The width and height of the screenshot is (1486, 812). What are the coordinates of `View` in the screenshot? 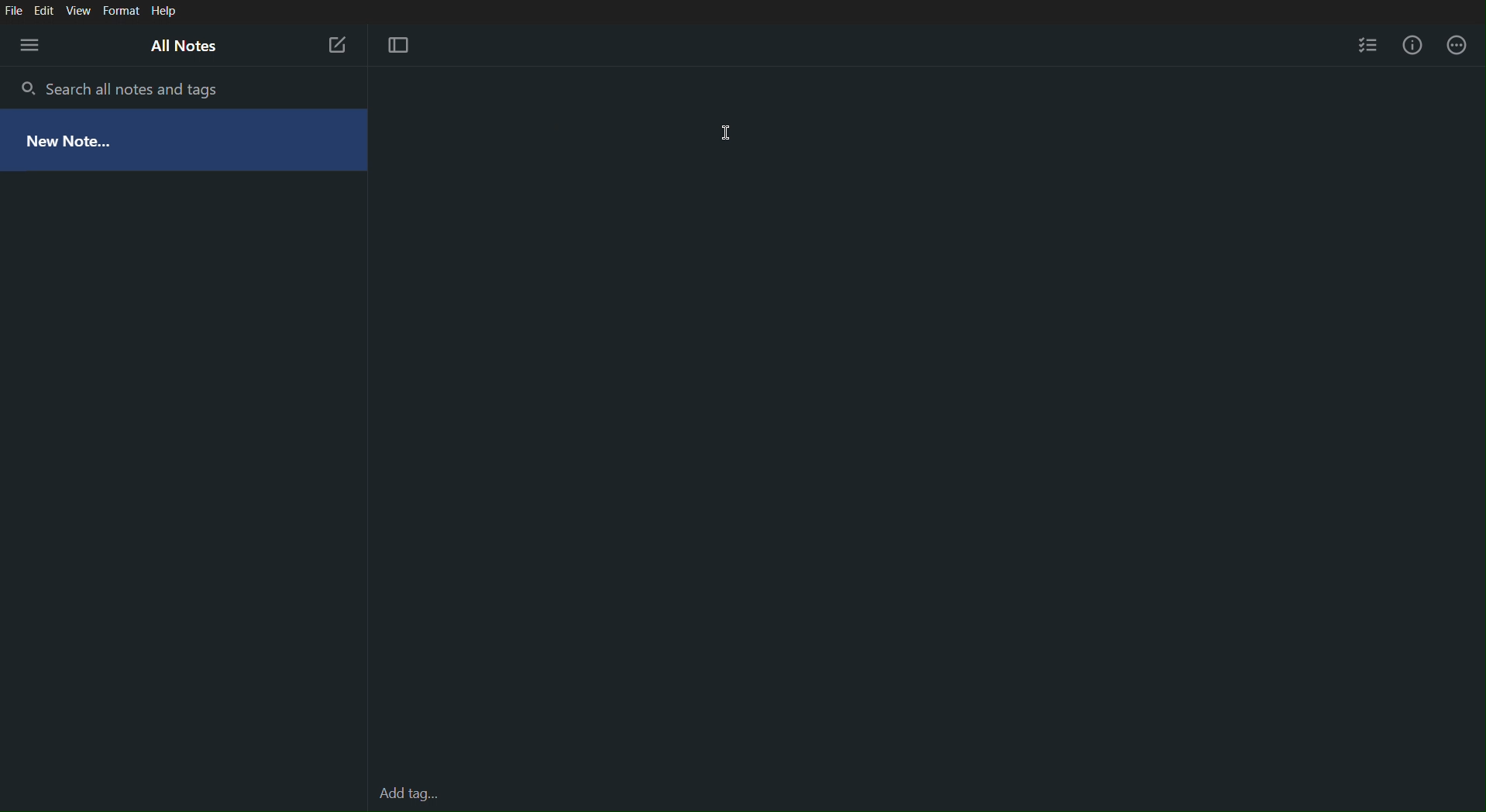 It's located at (80, 11).